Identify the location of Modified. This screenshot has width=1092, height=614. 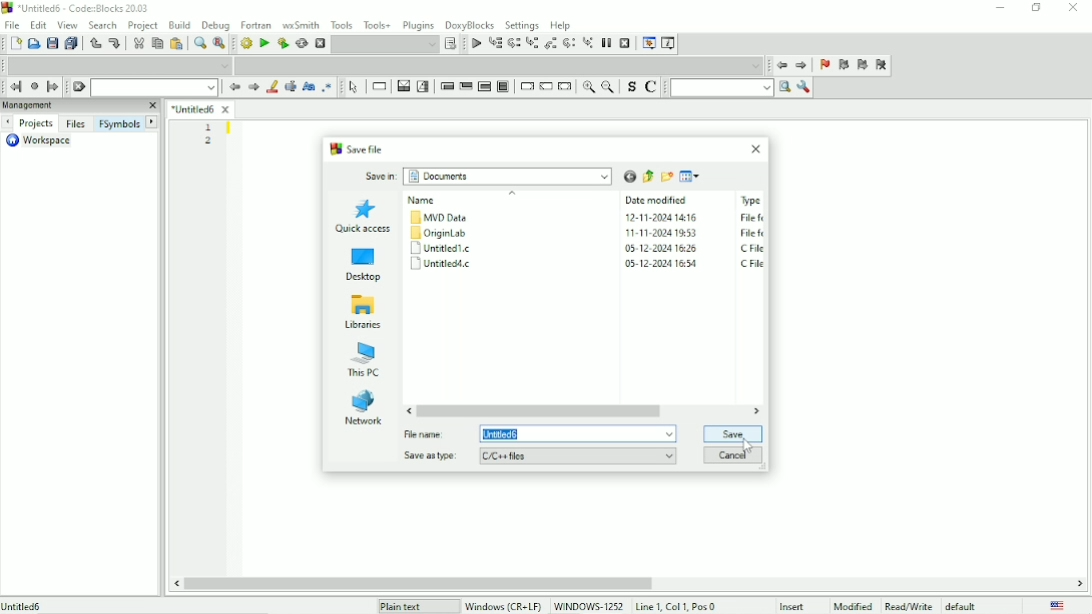
(853, 605).